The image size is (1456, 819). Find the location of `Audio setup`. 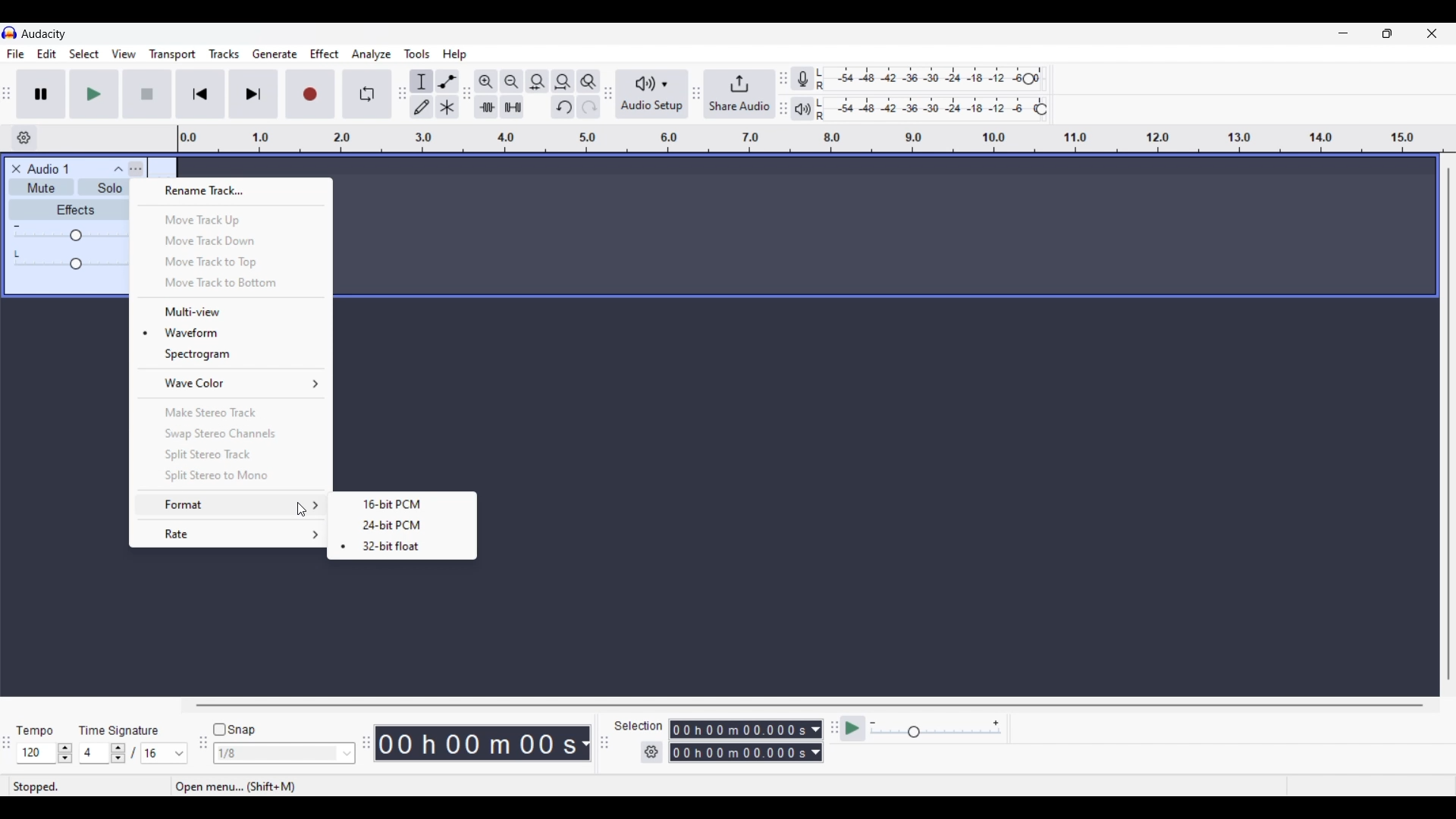

Audio setup is located at coordinates (652, 94).